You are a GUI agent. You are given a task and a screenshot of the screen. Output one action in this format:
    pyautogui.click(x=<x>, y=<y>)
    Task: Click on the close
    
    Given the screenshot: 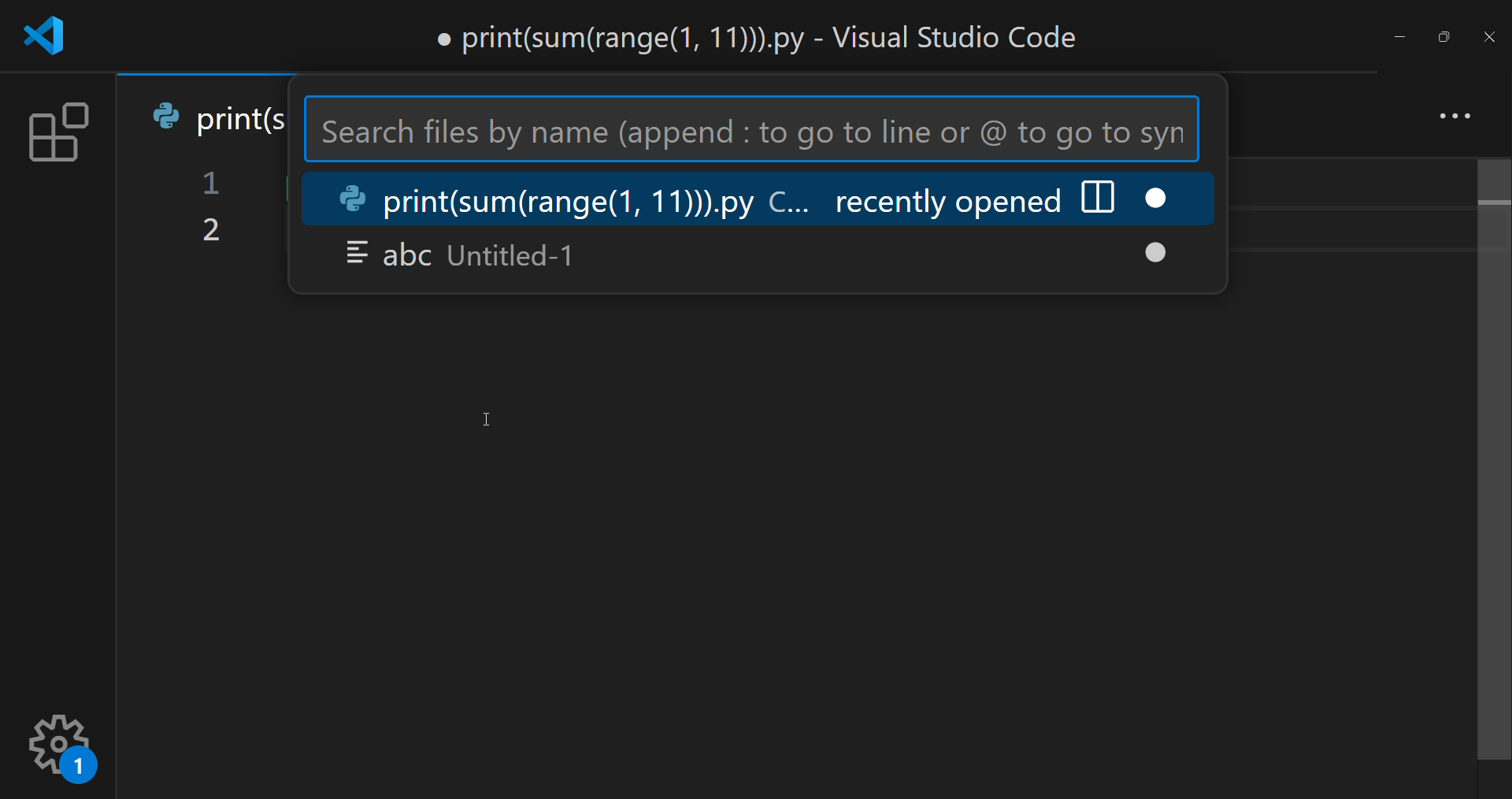 What is the action you would take?
    pyautogui.click(x=1488, y=40)
    